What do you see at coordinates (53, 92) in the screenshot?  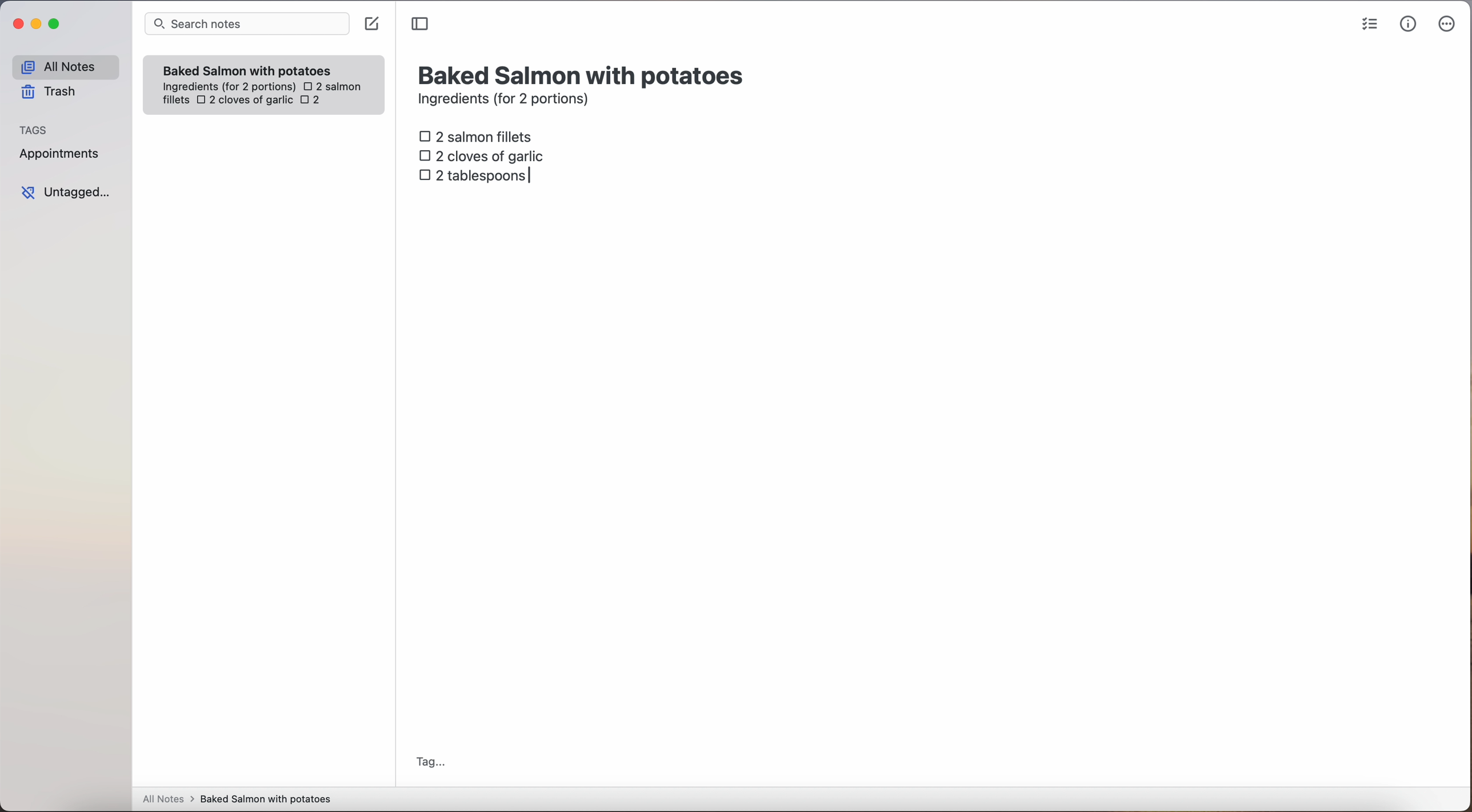 I see `trash` at bounding box center [53, 92].